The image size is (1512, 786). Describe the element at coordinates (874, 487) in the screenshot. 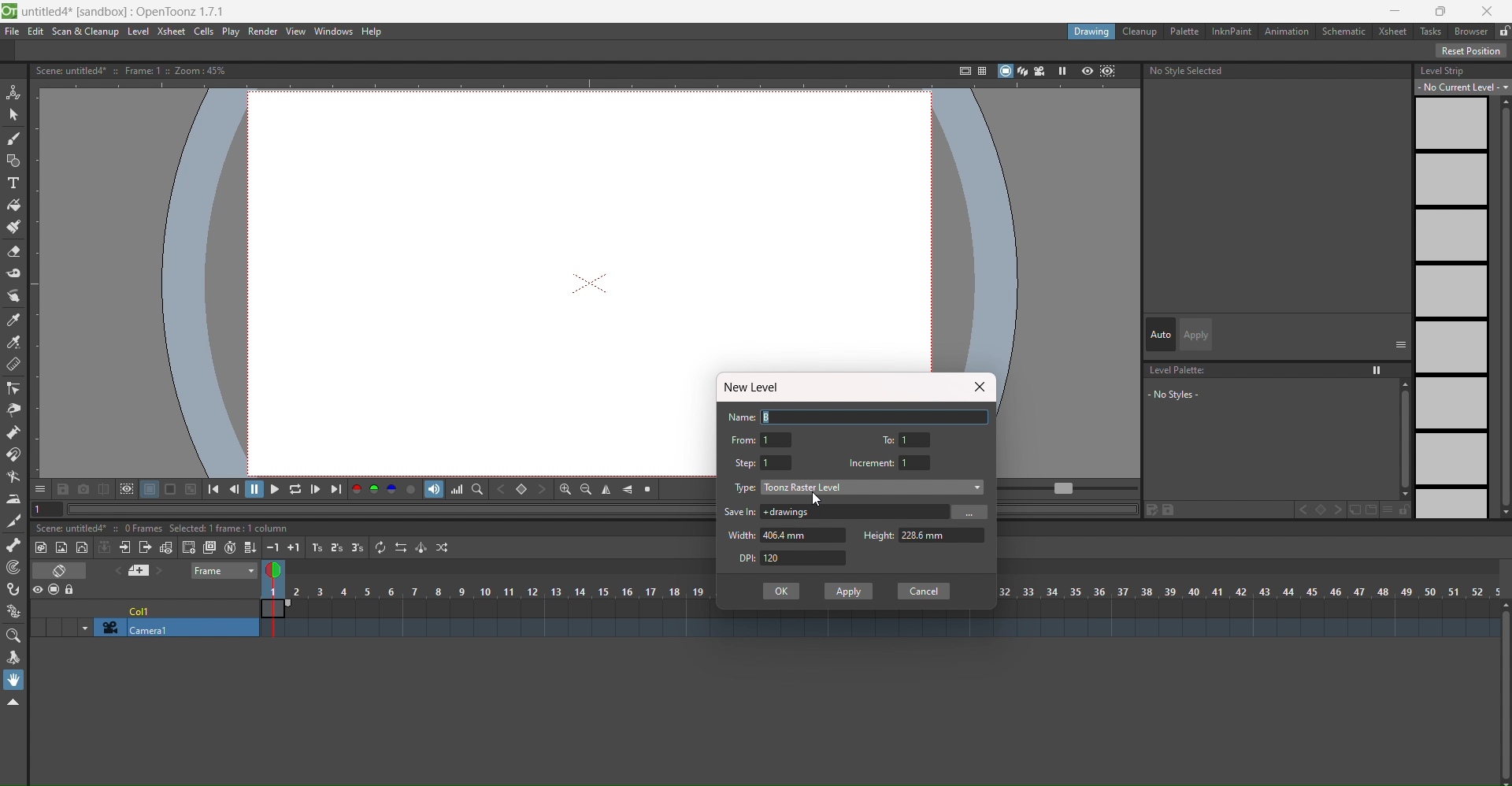

I see `select type` at that location.